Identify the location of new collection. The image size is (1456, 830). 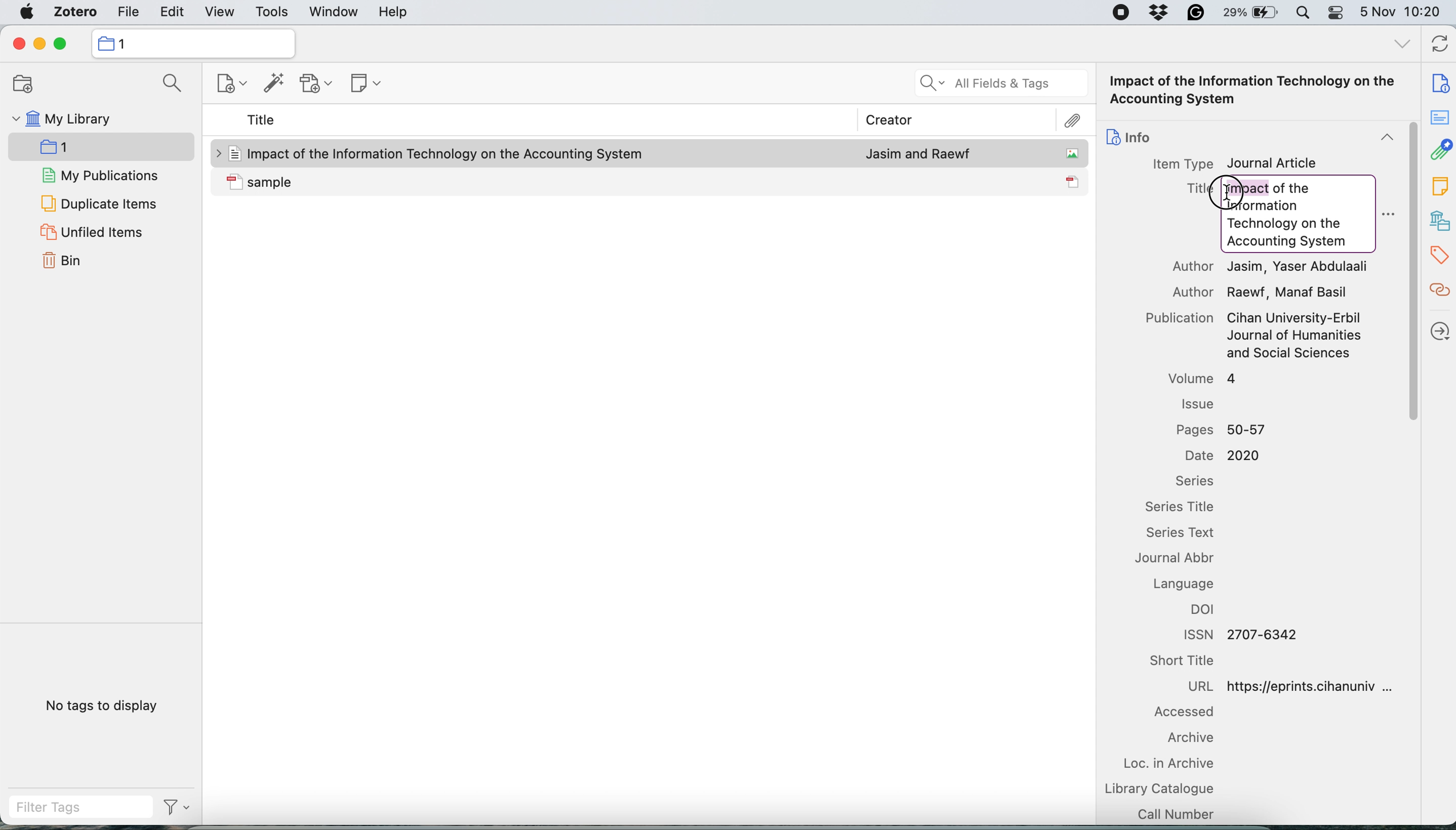
(23, 83).